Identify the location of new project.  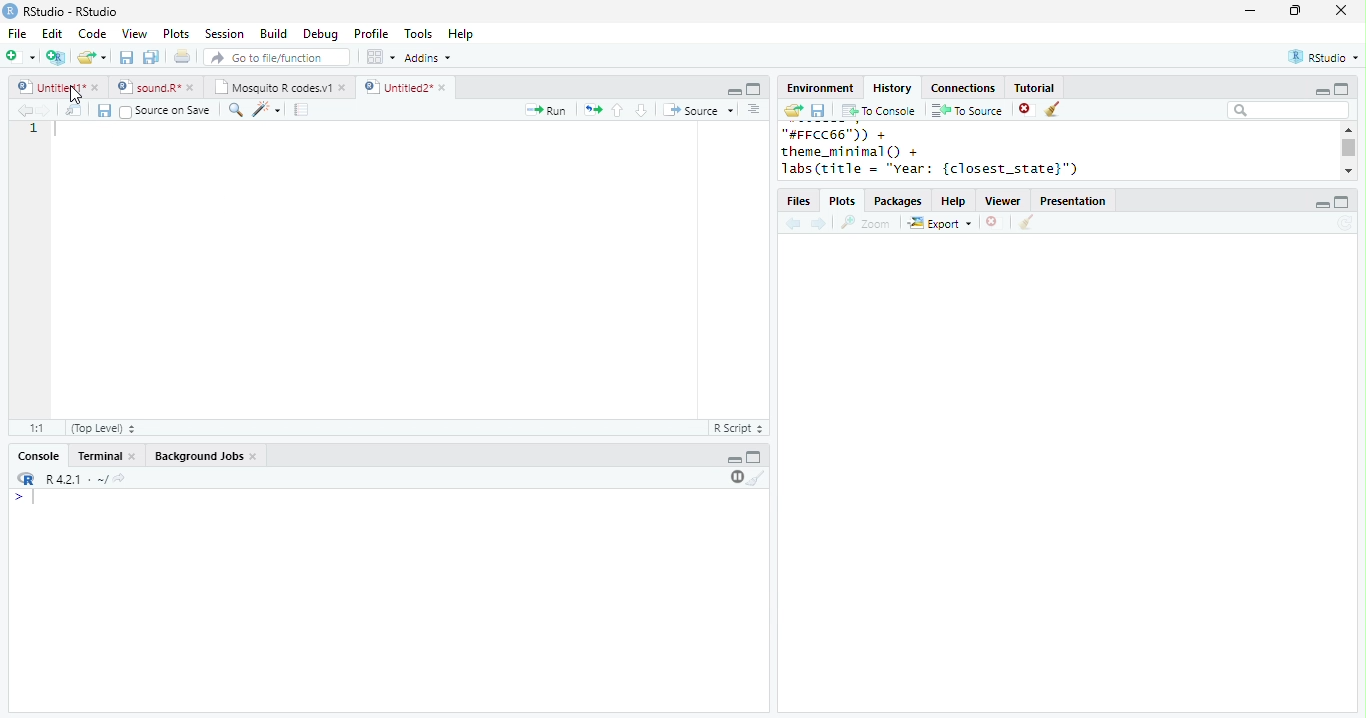
(57, 57).